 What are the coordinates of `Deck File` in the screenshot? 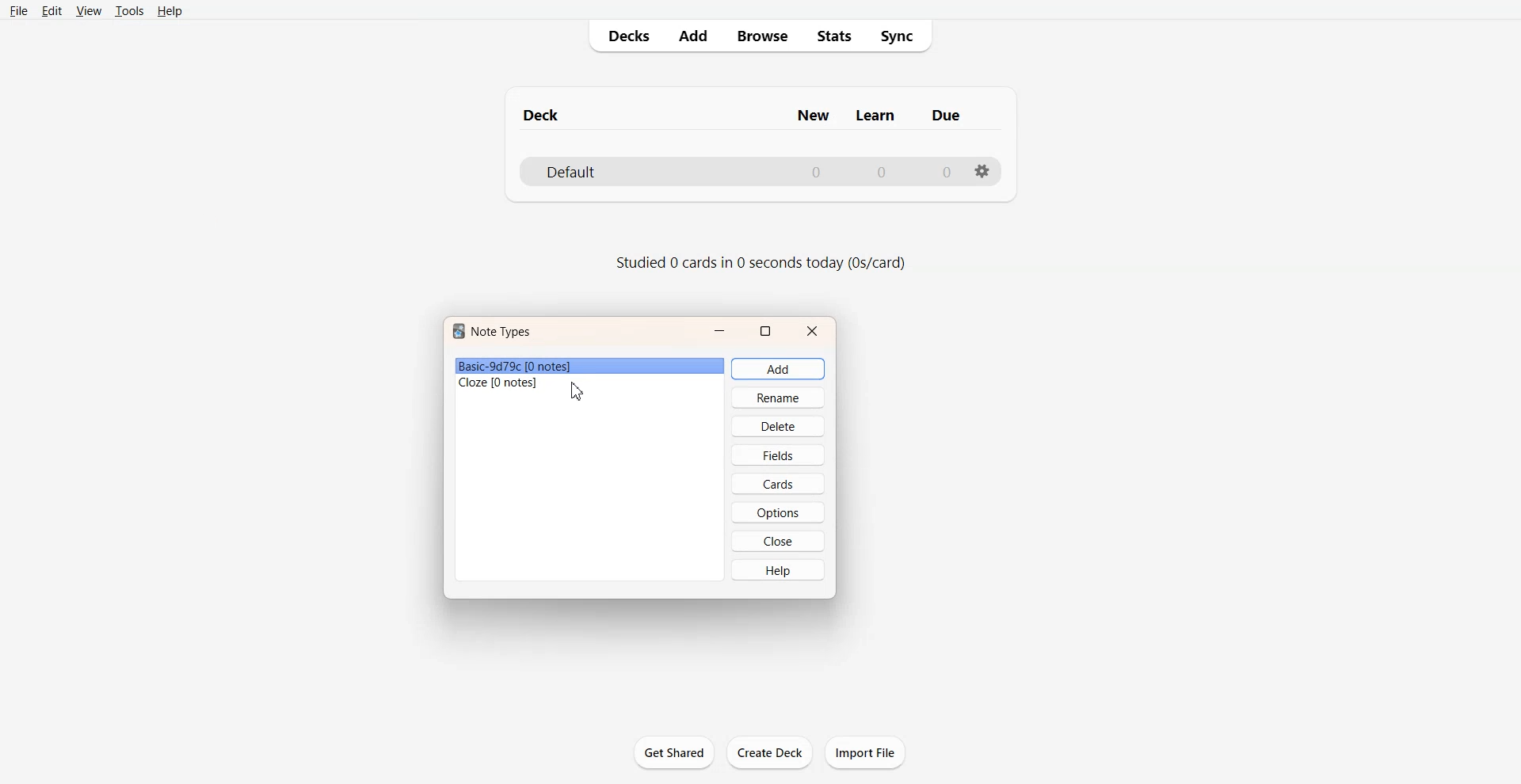 It's located at (759, 170).